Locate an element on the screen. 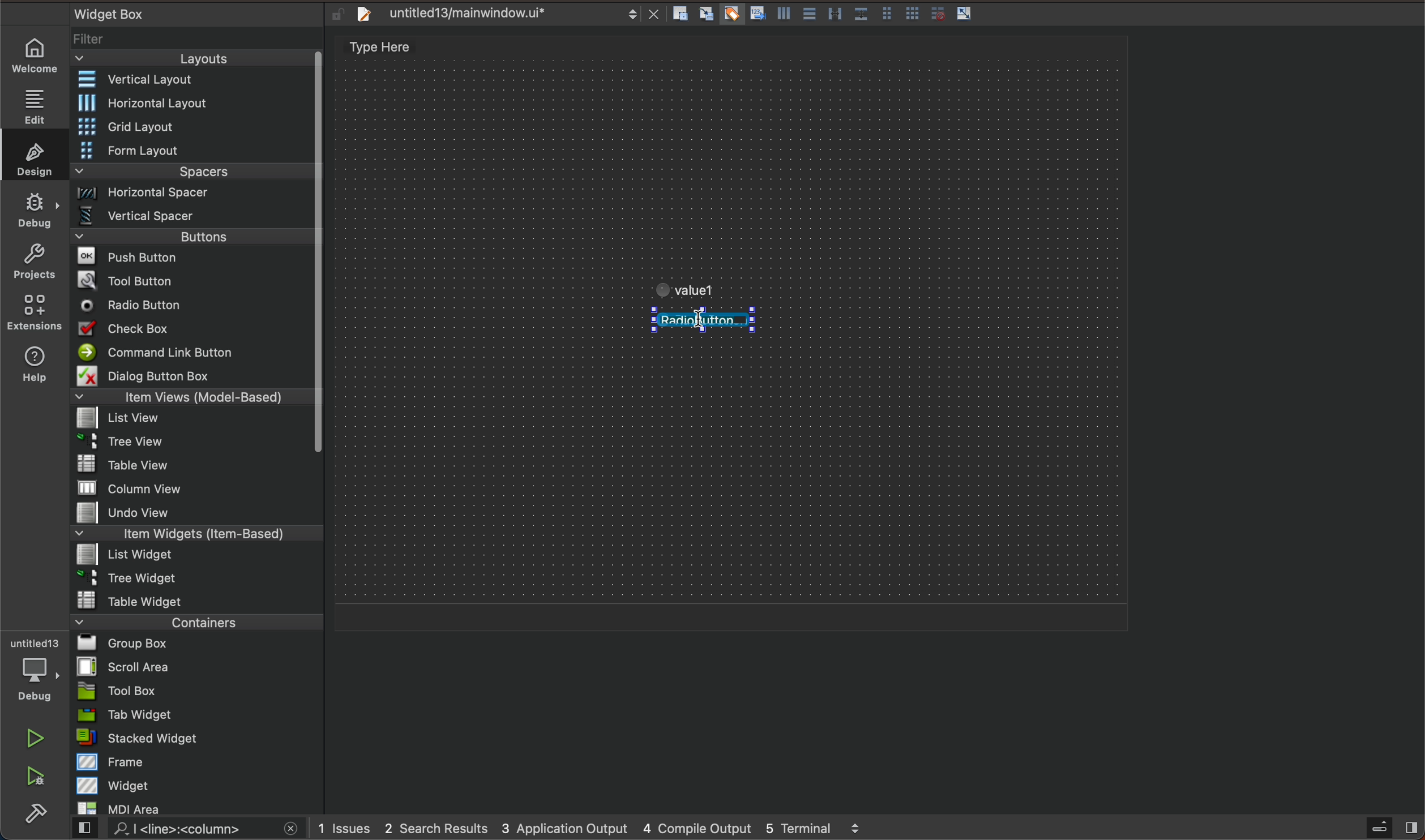  containers is located at coordinates (193, 622).